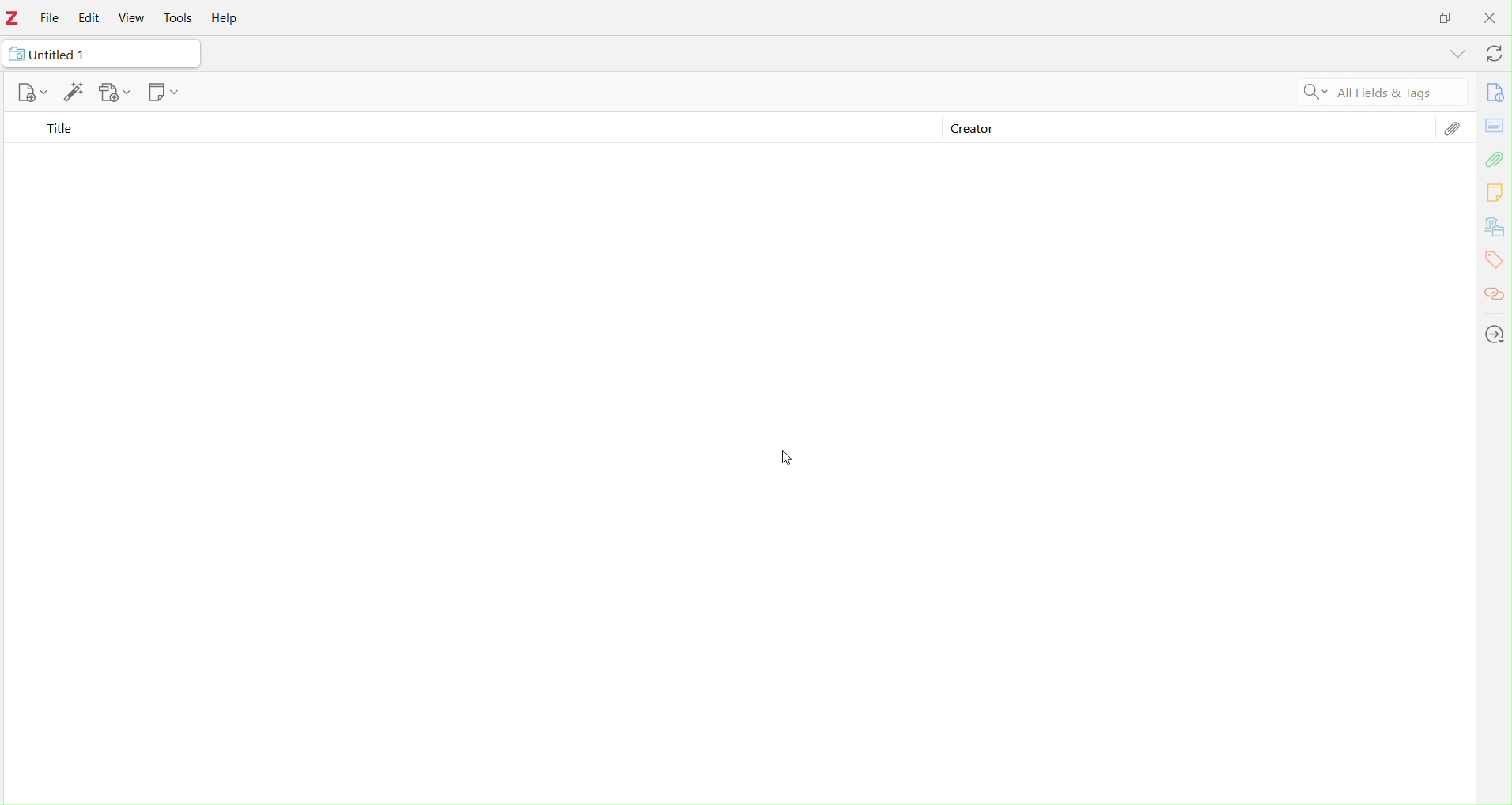 The width and height of the screenshot is (1512, 805). Describe the element at coordinates (1446, 17) in the screenshot. I see `Box` at that location.